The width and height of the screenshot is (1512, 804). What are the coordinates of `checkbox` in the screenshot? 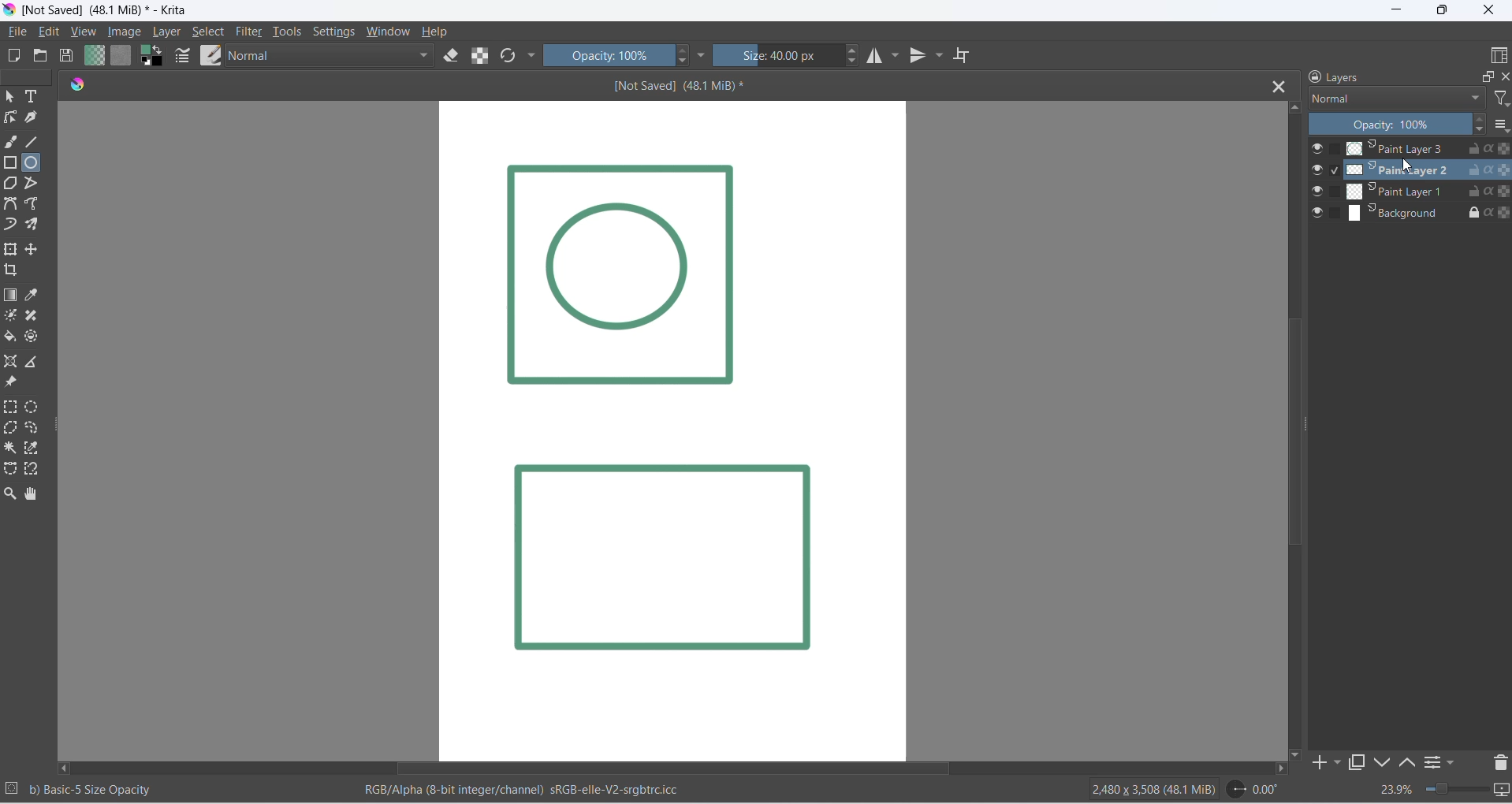 It's located at (1337, 148).